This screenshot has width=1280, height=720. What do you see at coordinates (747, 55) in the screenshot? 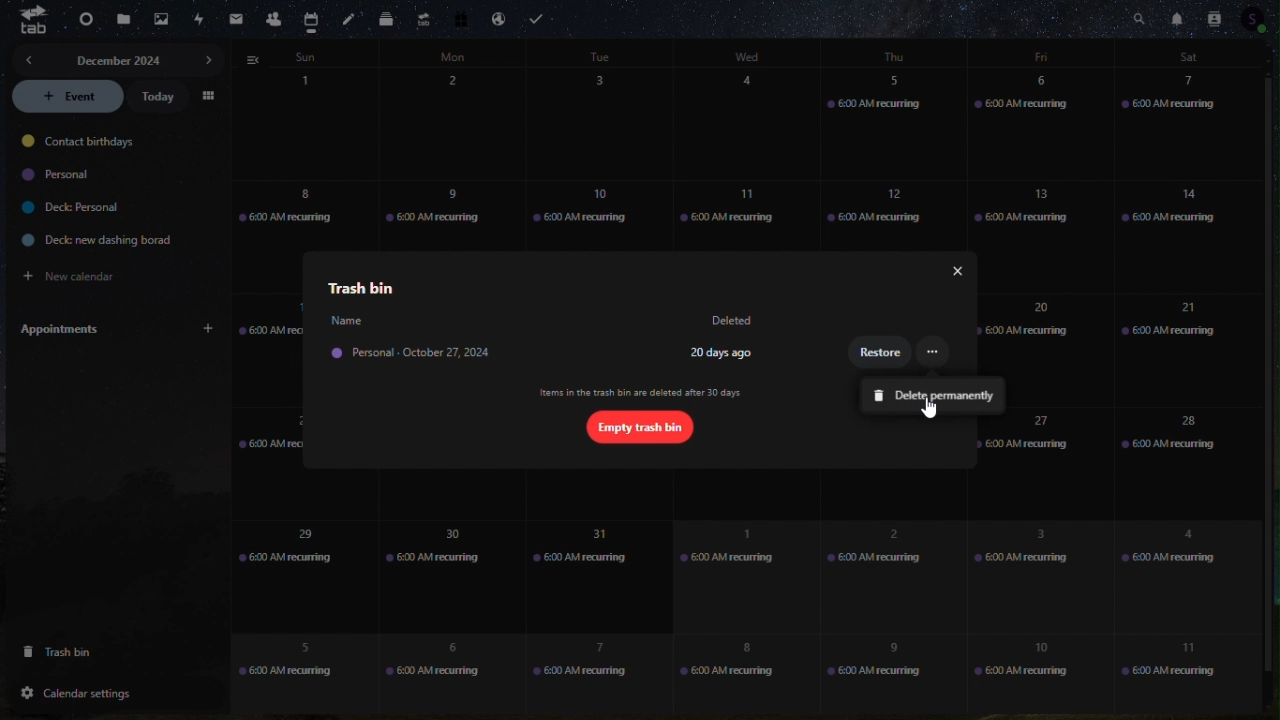
I see `days of week` at bounding box center [747, 55].